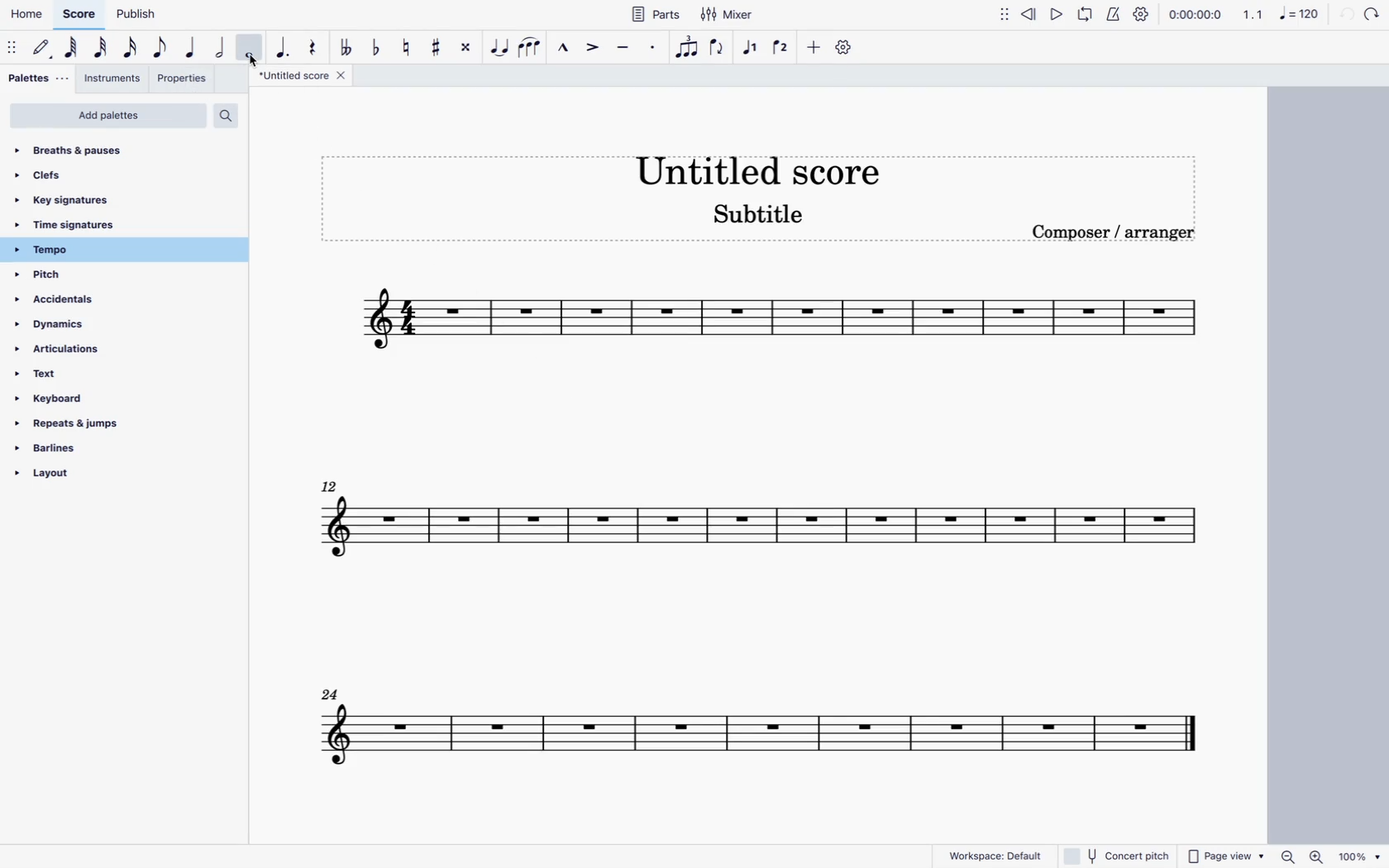  I want to click on loop playback, so click(1085, 17).